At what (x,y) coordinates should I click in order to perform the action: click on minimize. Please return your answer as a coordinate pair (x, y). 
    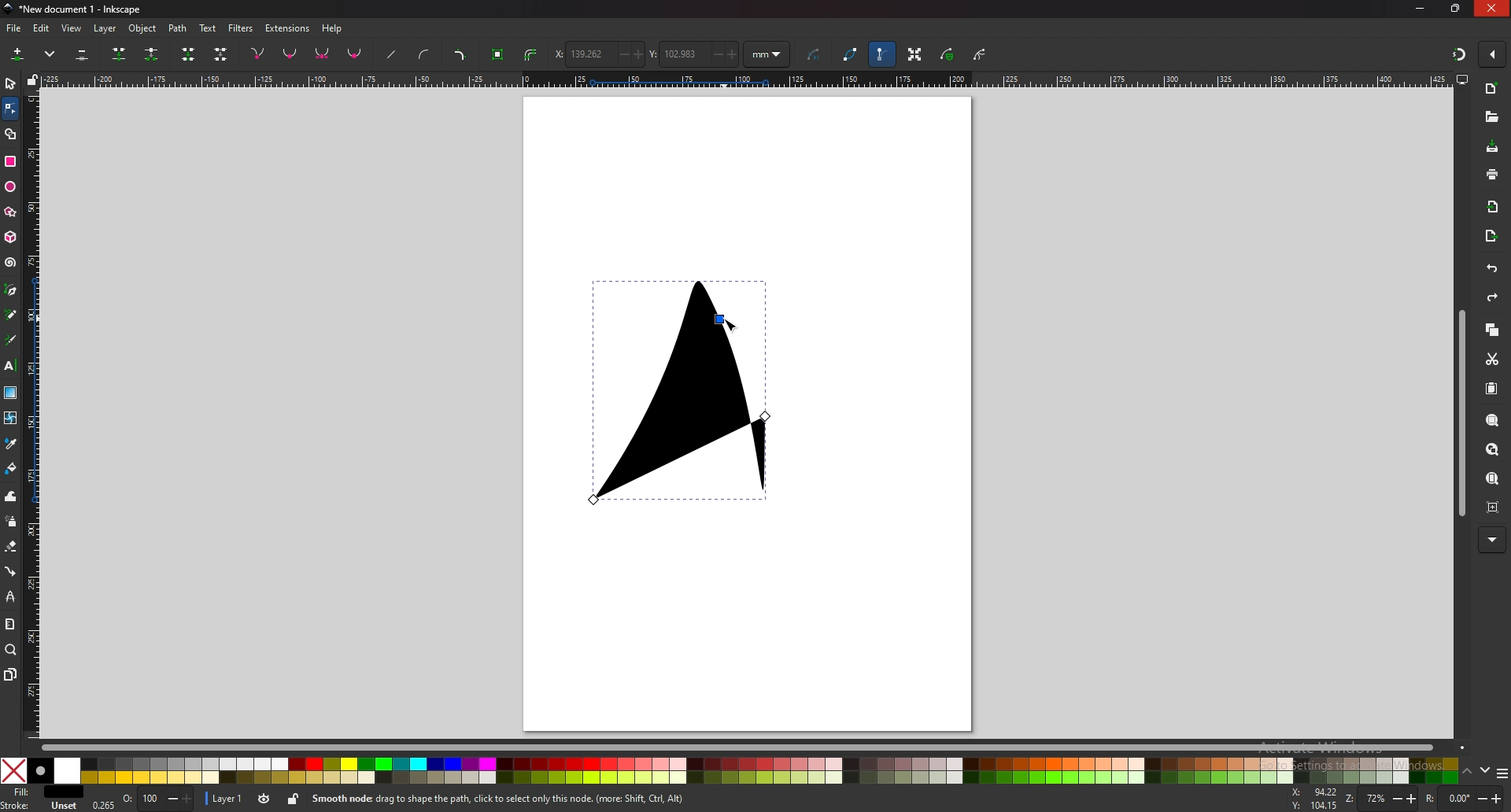
    Looking at the image, I should click on (1420, 9).